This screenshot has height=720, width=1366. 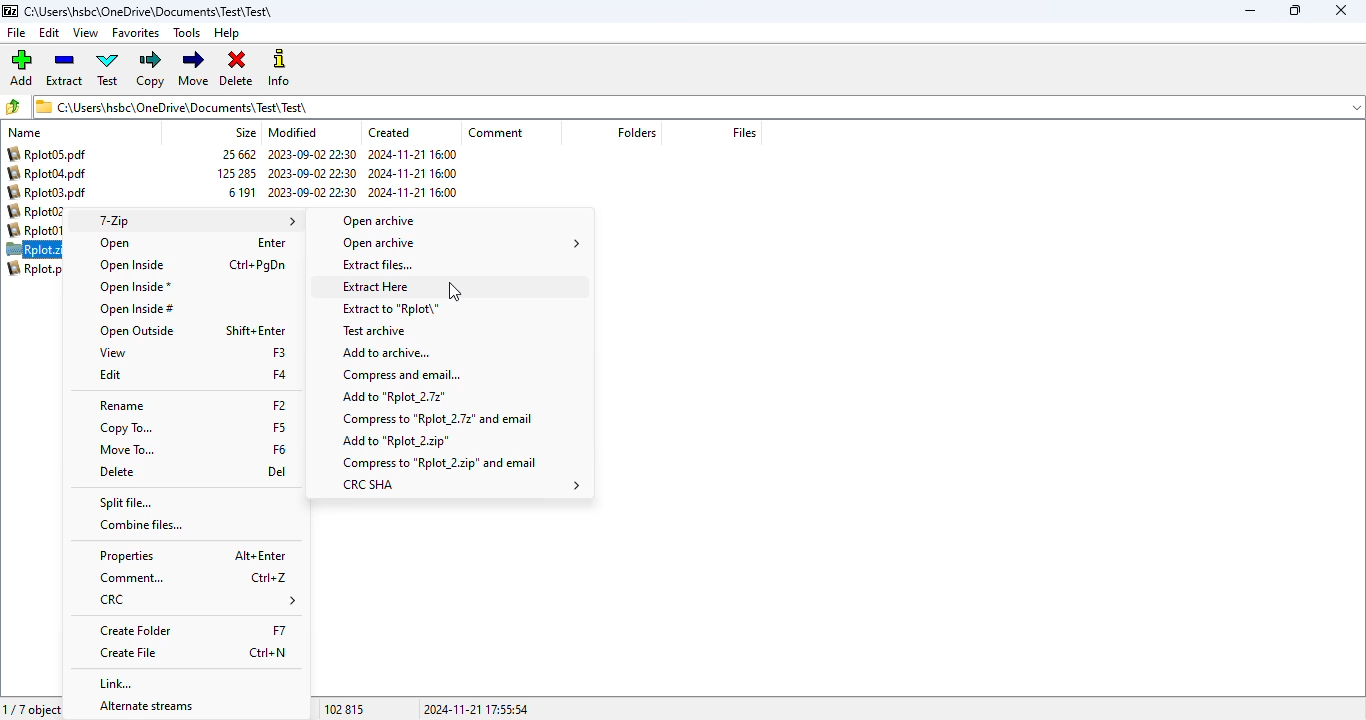 I want to click on Rplot04.pdf, so click(x=47, y=173).